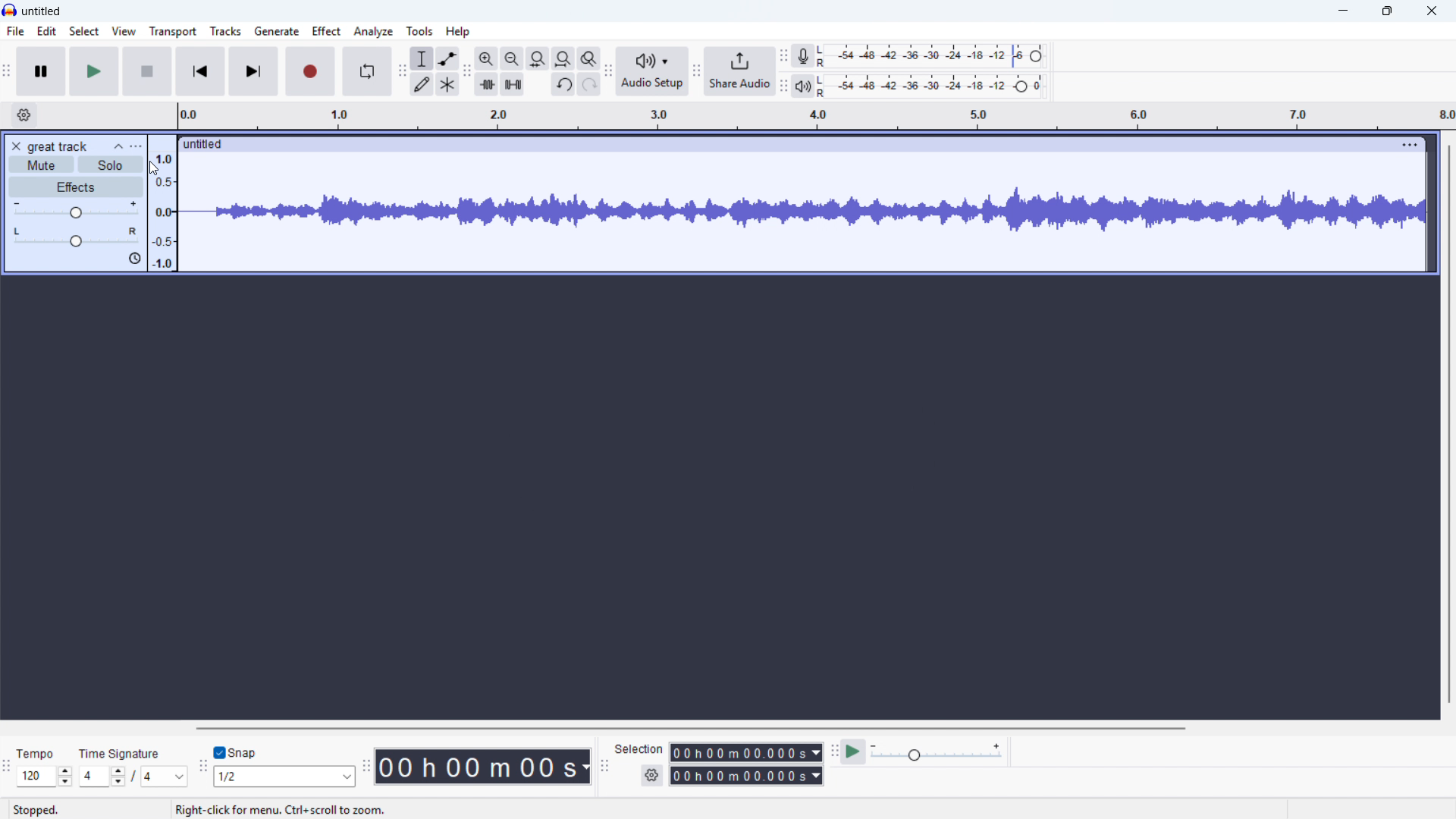  What do you see at coordinates (326, 31) in the screenshot?
I see `Effect ` at bounding box center [326, 31].